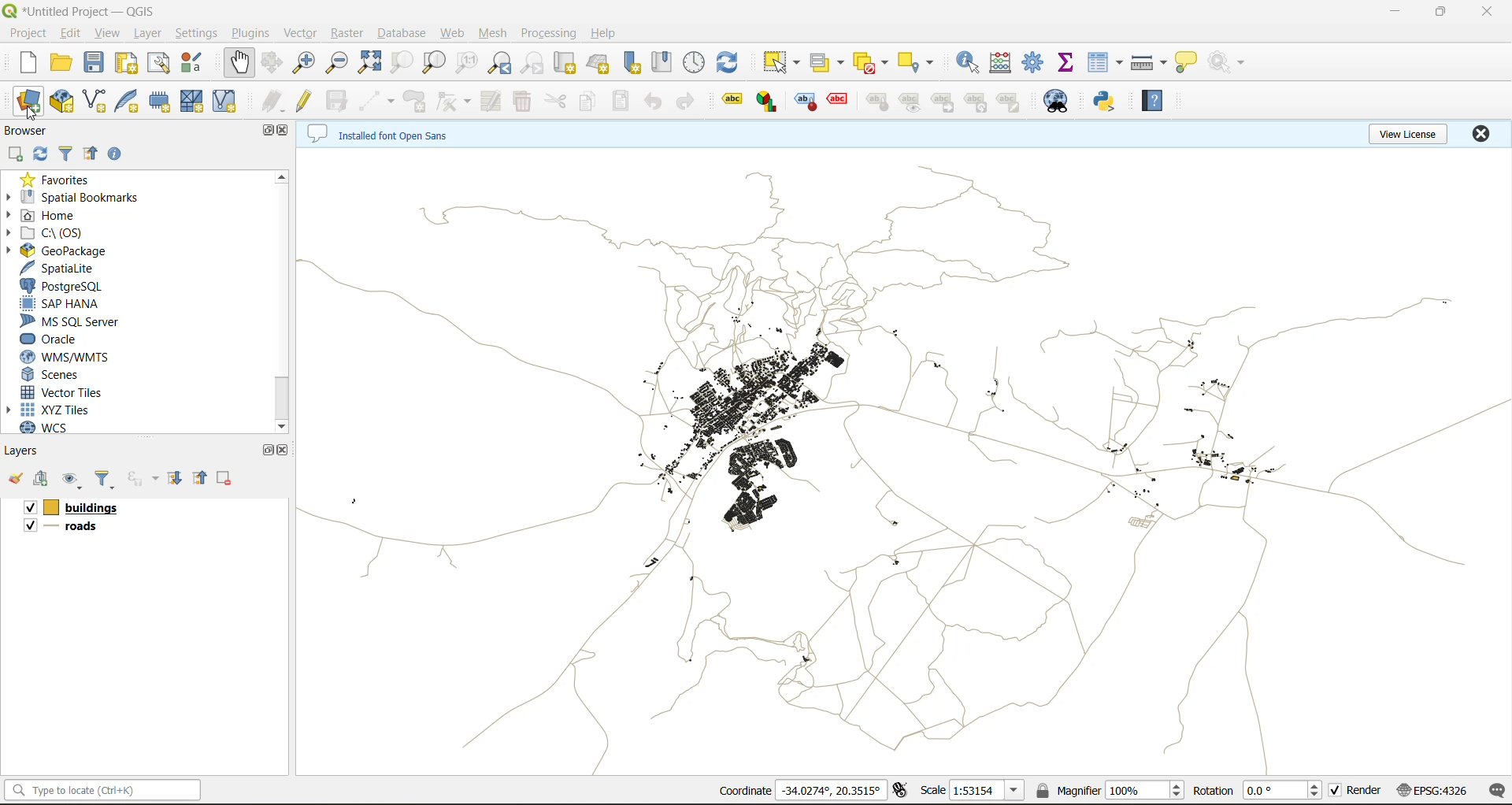 This screenshot has height=805, width=1512. What do you see at coordinates (878, 103) in the screenshot?
I see `label tool` at bounding box center [878, 103].